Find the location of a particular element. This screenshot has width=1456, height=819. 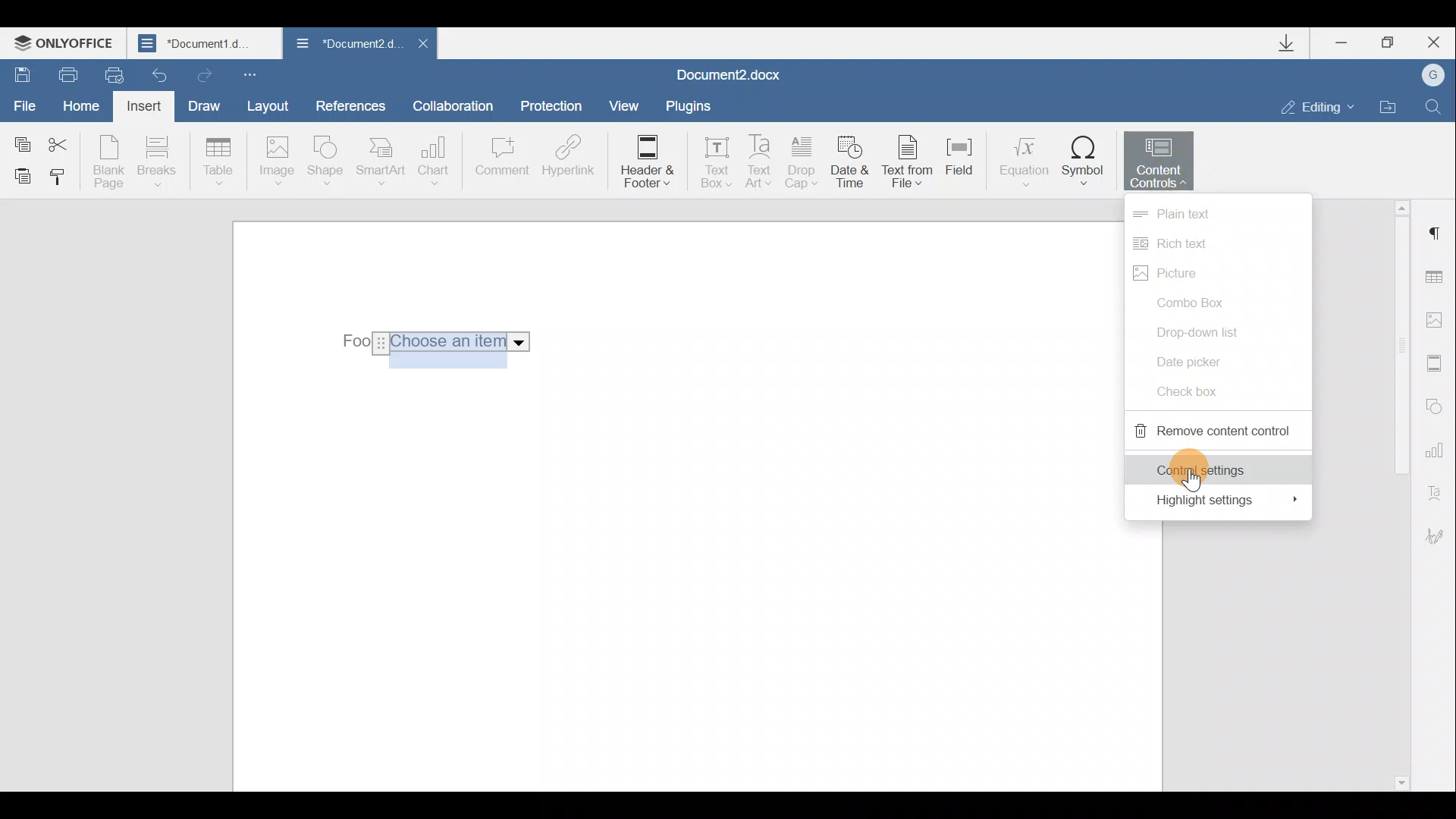

Chart is located at coordinates (437, 161).